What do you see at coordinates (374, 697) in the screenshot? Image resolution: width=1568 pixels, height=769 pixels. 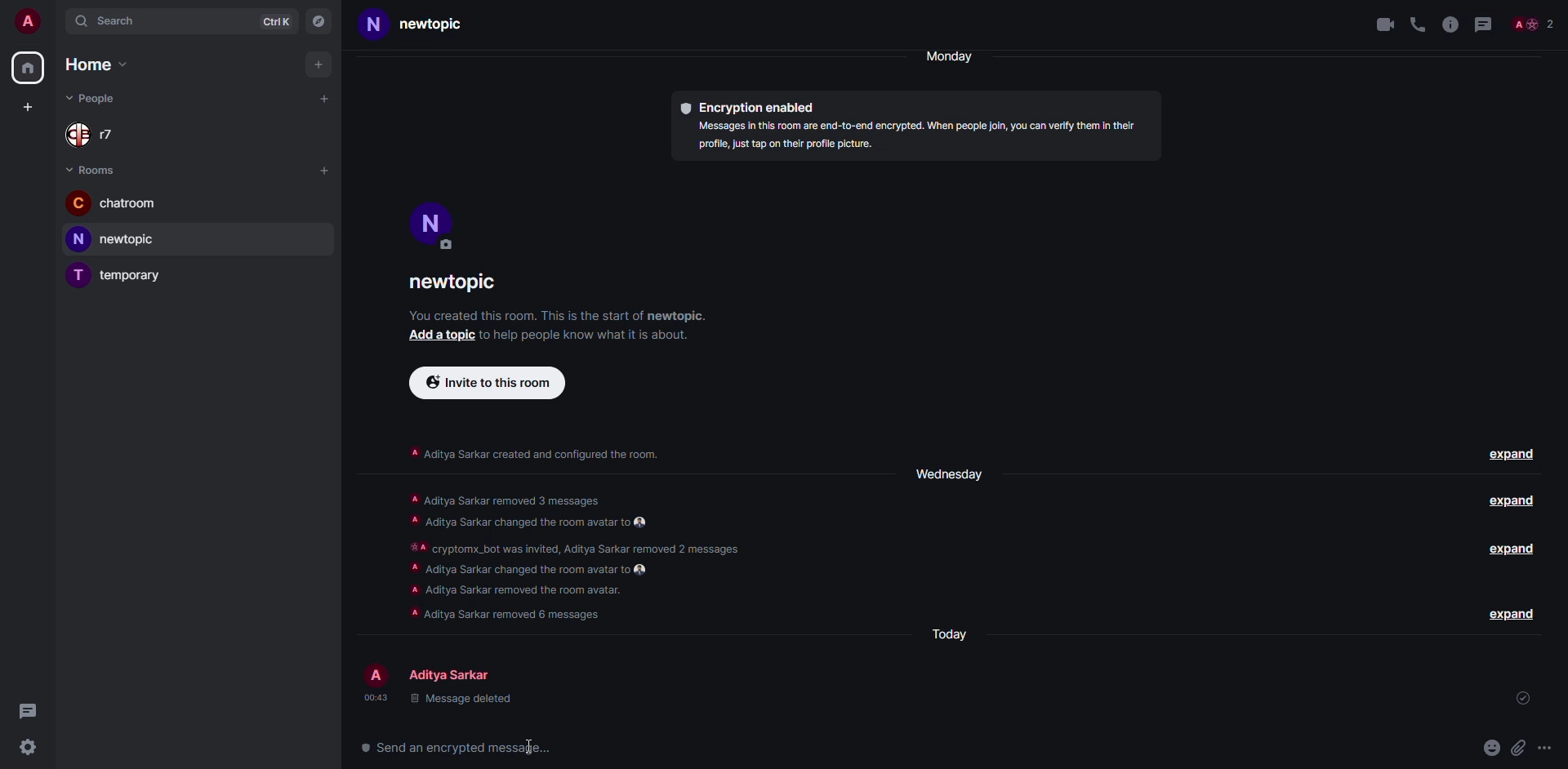 I see `time` at bounding box center [374, 697].